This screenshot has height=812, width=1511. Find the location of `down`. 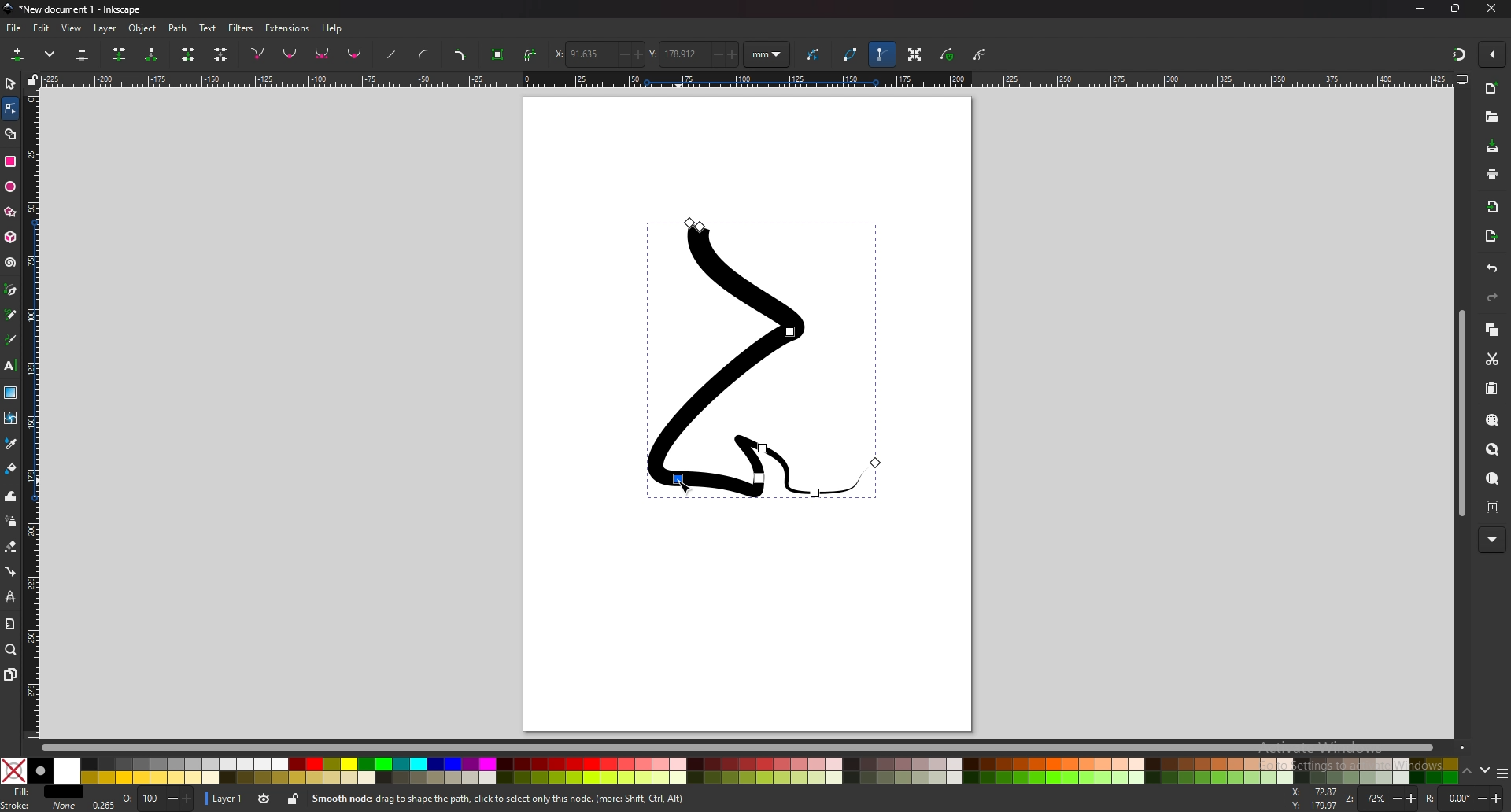

down is located at coordinates (1483, 772).